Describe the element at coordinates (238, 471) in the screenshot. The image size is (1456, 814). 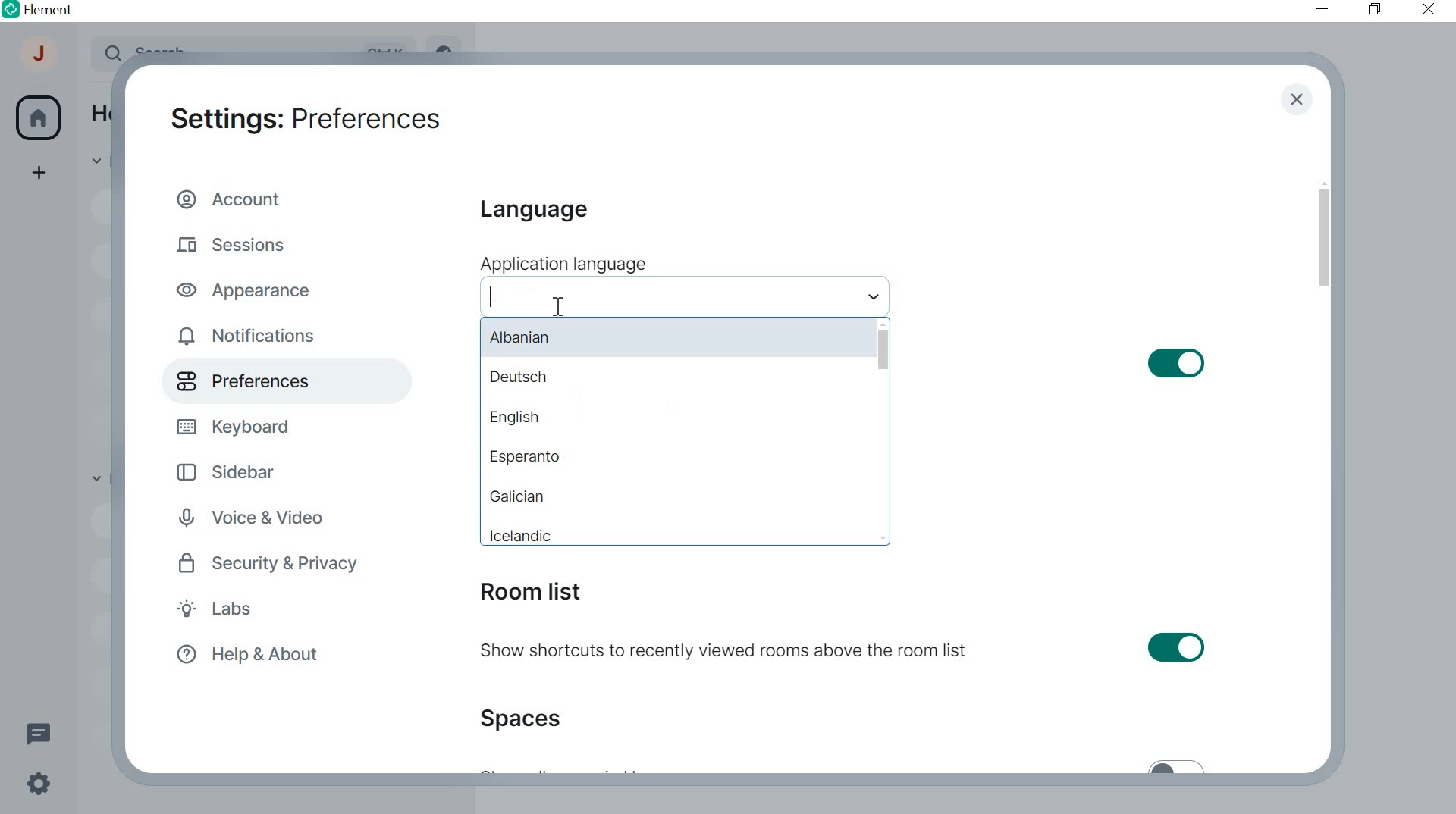
I see `SIDEBAR` at that location.